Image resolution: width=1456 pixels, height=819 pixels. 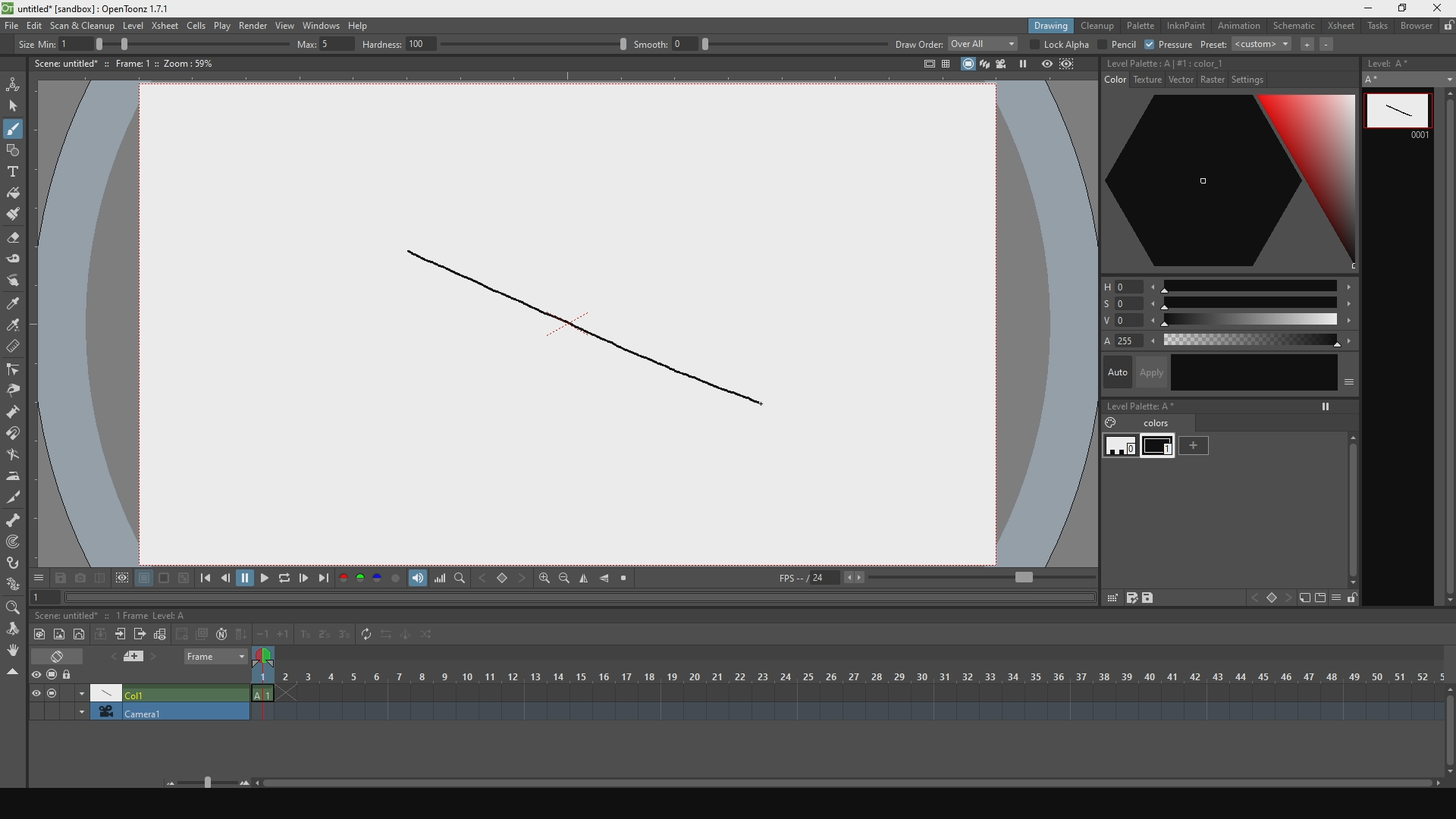 I want to click on lock alpha, so click(x=1059, y=45).